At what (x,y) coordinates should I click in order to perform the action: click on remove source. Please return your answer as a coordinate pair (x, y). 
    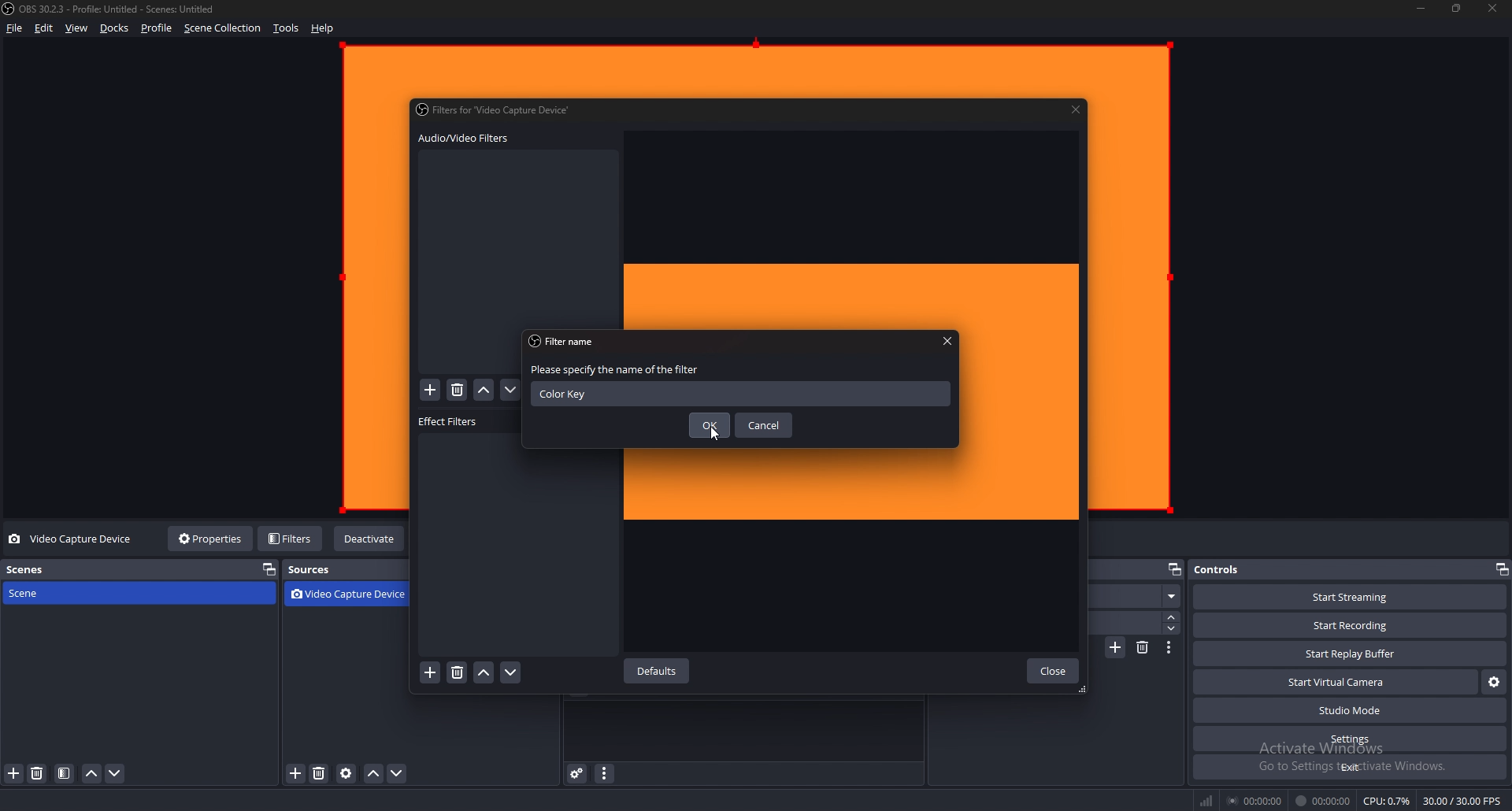
    Looking at the image, I should click on (319, 775).